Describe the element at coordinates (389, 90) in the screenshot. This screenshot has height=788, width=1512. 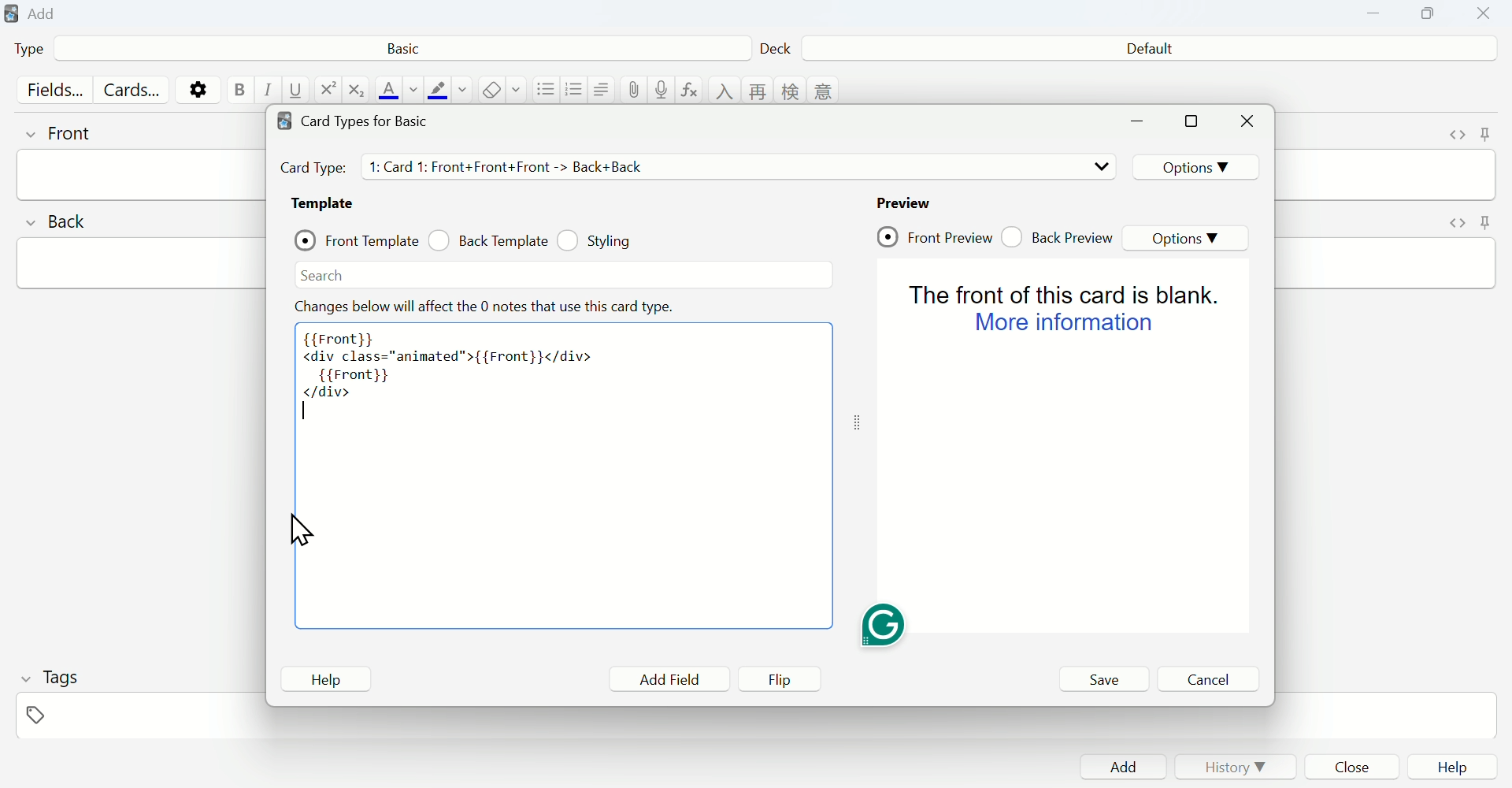
I see `text color` at that location.